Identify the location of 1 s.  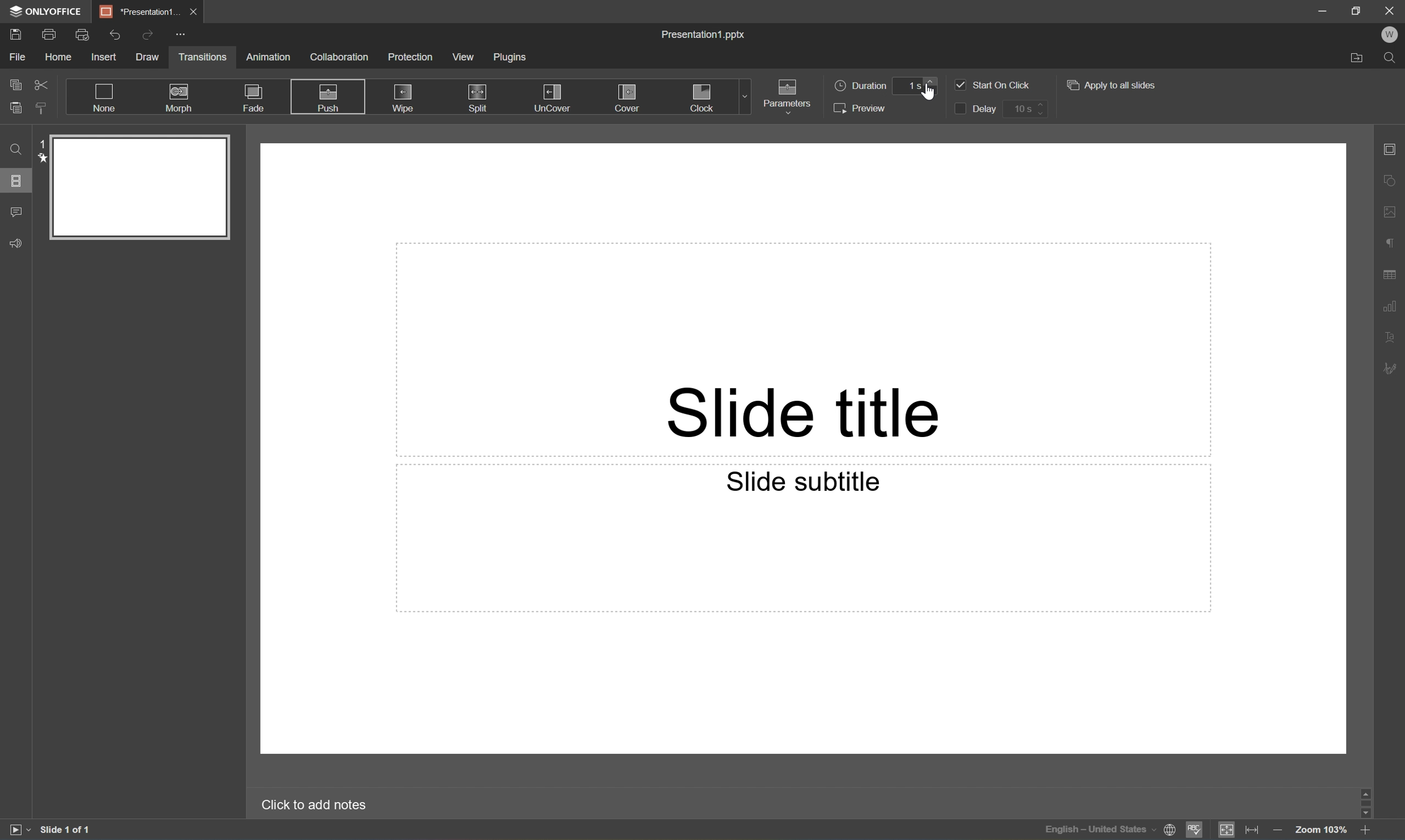
(917, 85).